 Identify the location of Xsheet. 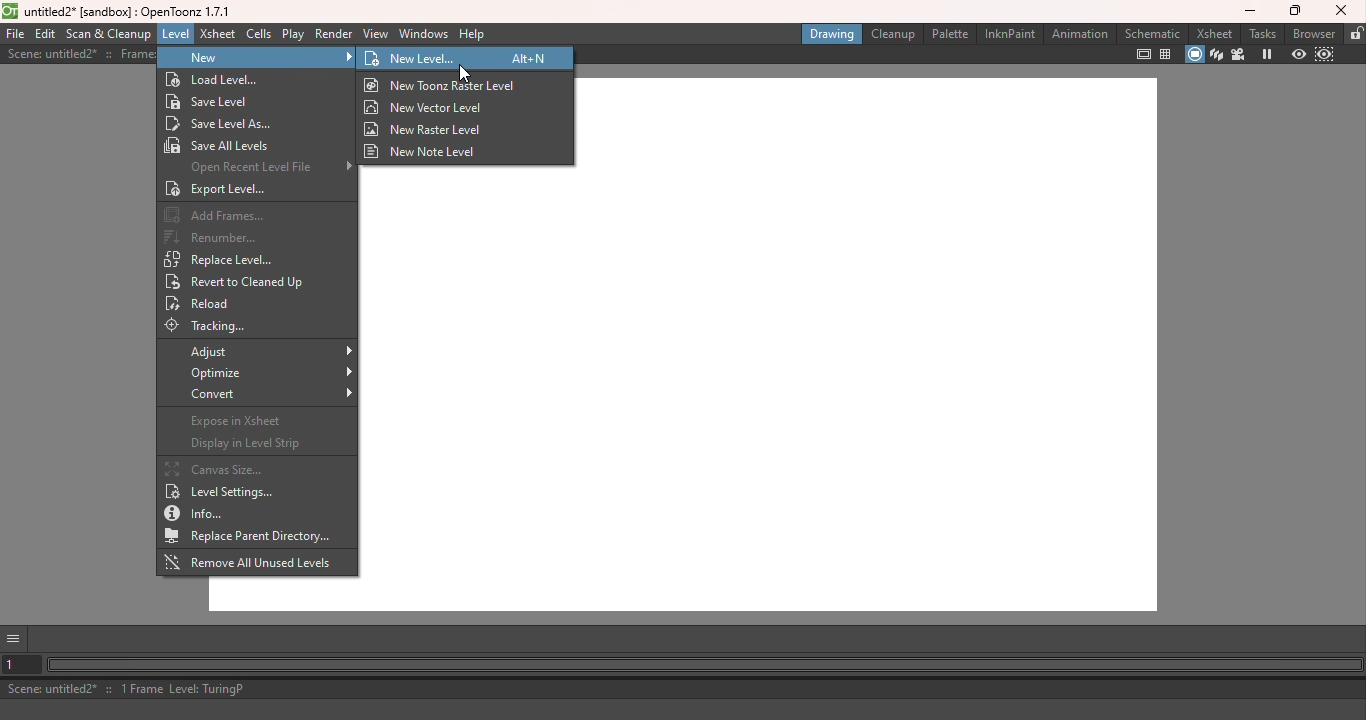
(1216, 31).